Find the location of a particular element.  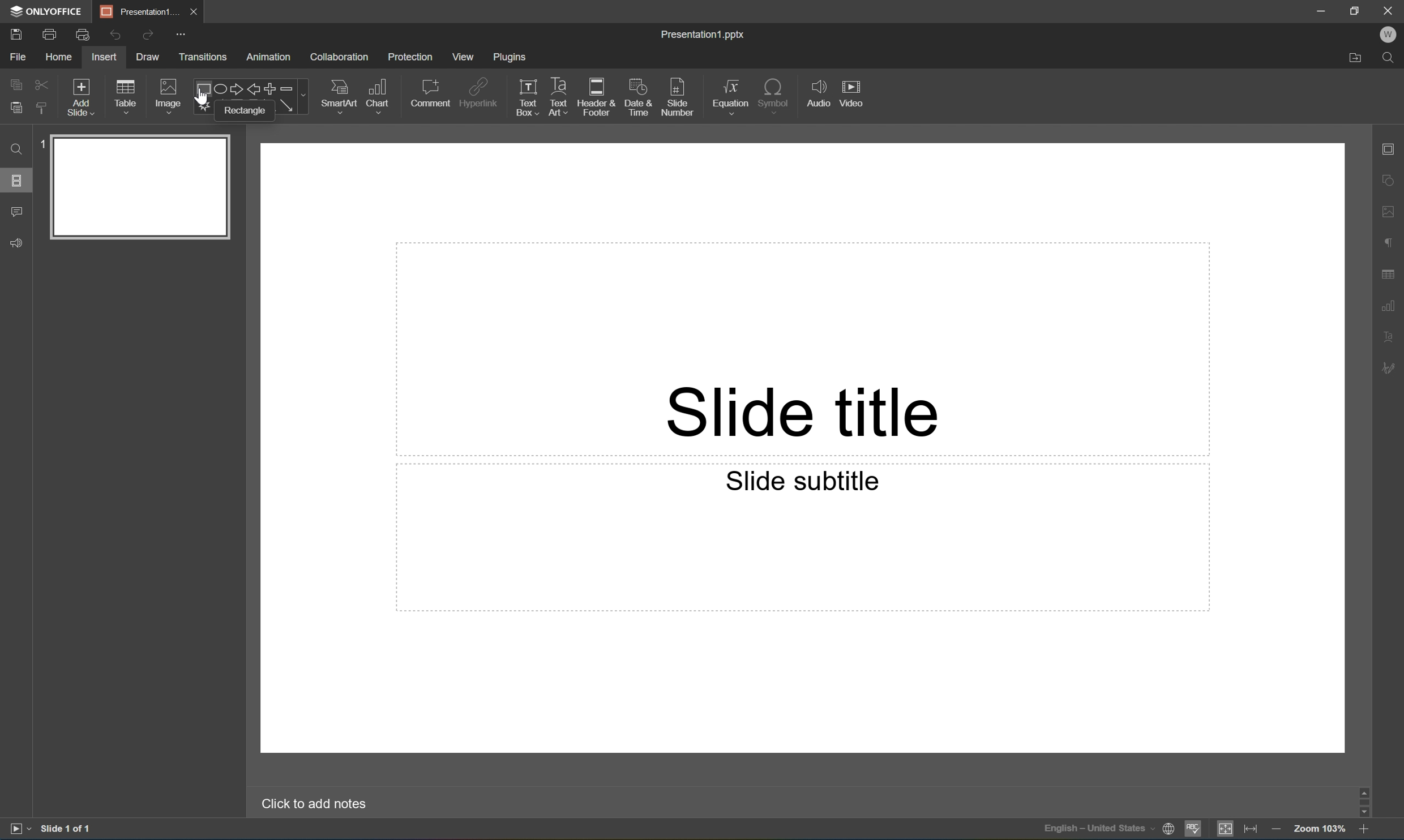

Left arrow is located at coordinates (254, 90).